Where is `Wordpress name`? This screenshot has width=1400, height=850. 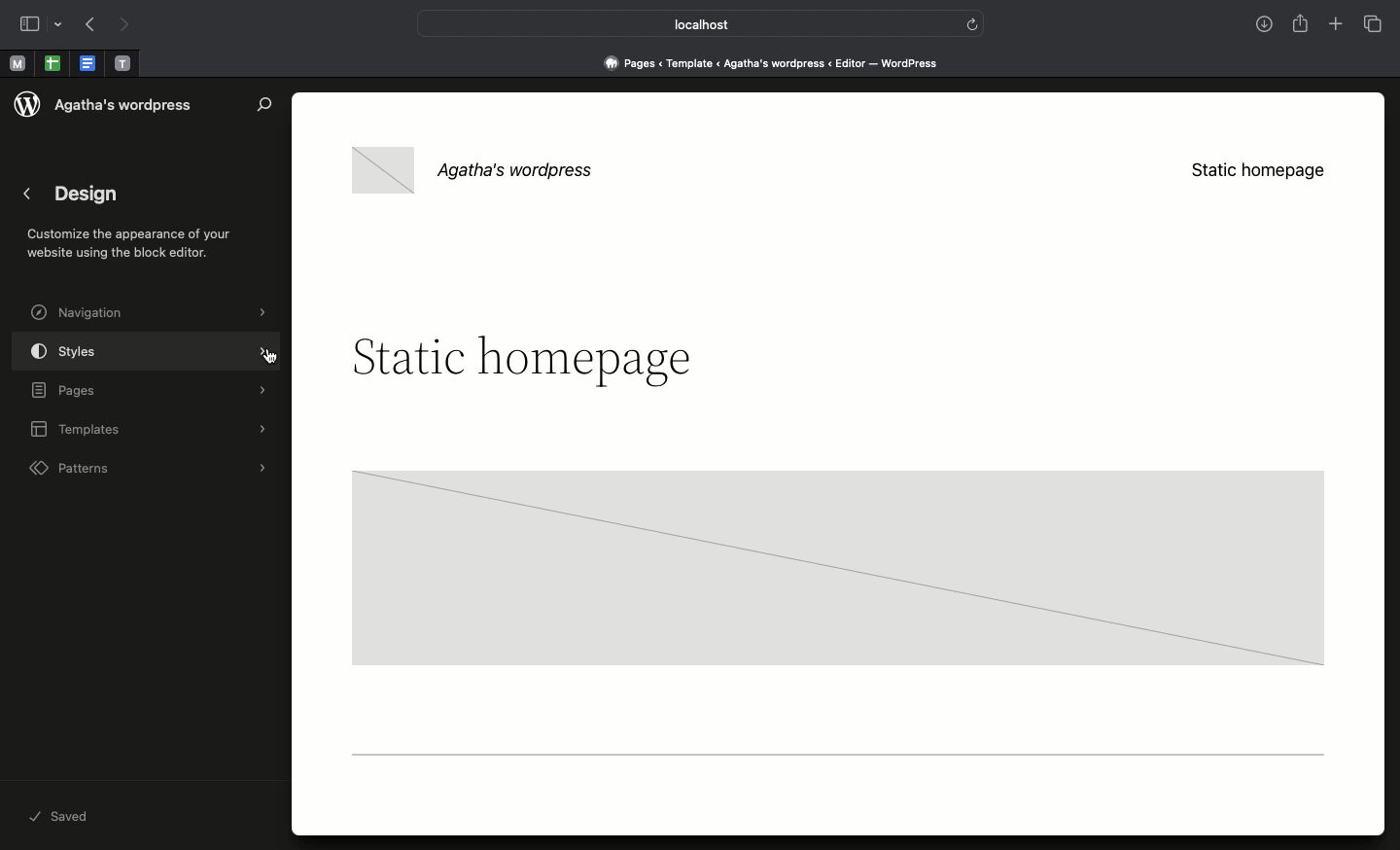 Wordpress name is located at coordinates (127, 105).